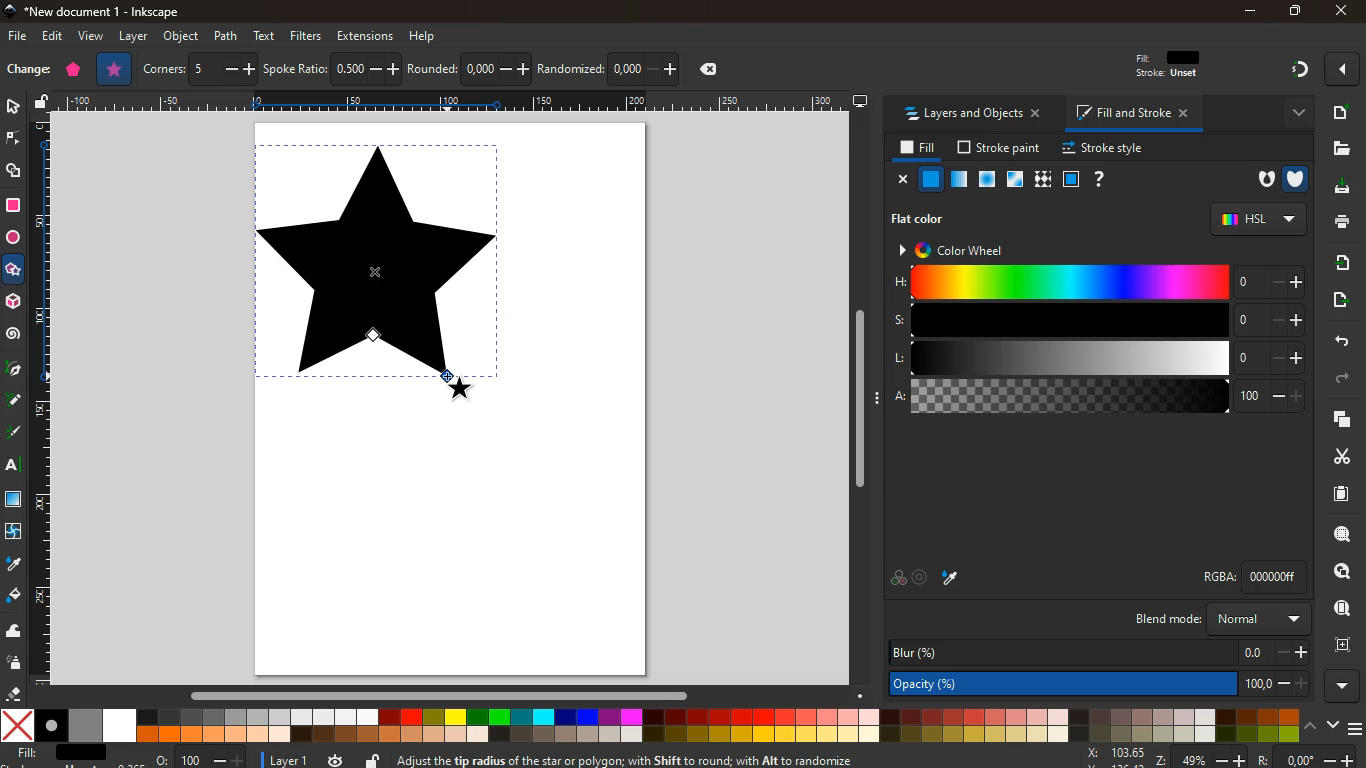 The width and height of the screenshot is (1366, 768). I want to click on blur, so click(1095, 653).